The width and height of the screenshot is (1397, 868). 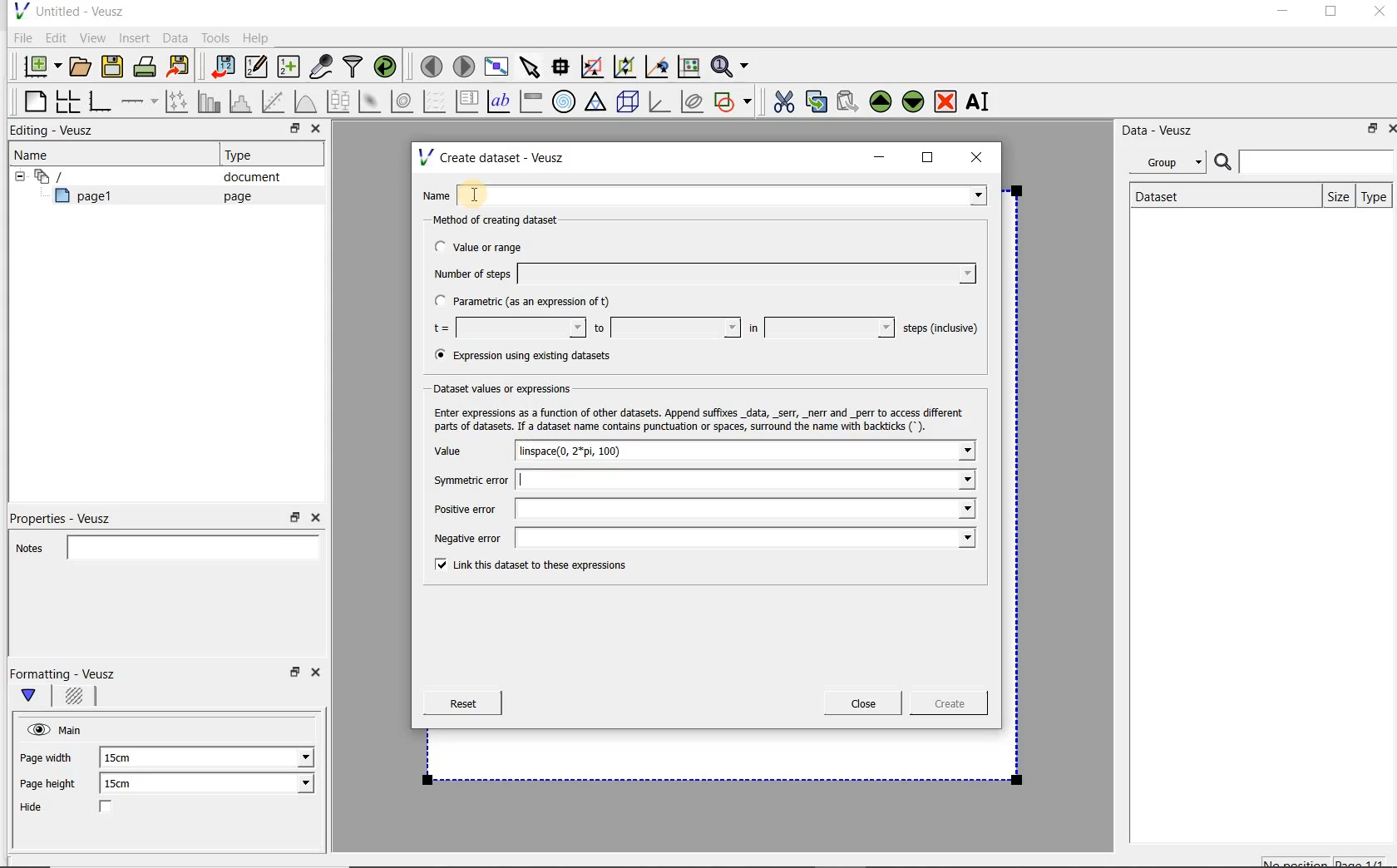 I want to click on Close, so click(x=863, y=703).